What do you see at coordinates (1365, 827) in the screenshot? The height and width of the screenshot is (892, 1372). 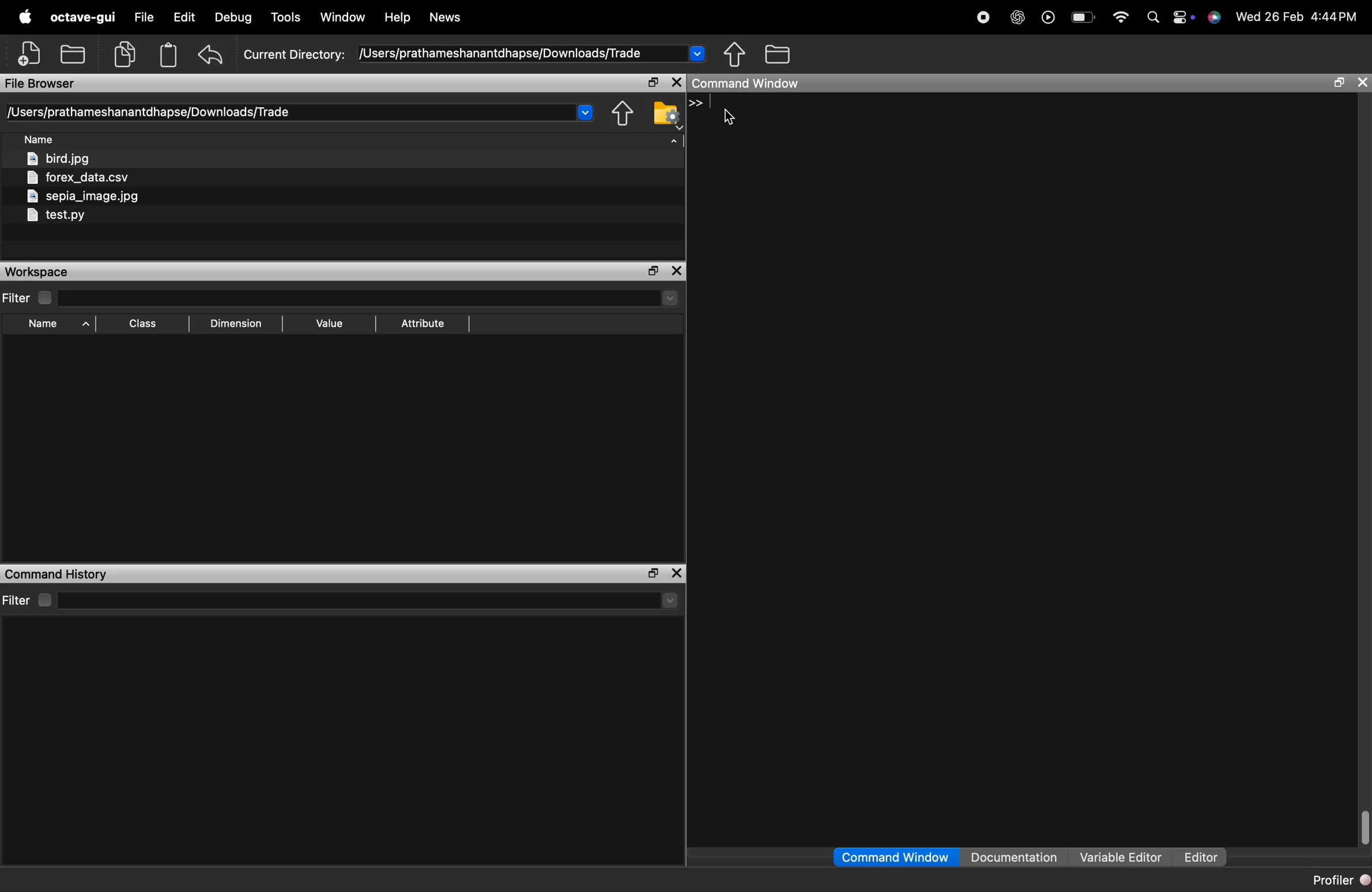 I see `scrollbar` at bounding box center [1365, 827].